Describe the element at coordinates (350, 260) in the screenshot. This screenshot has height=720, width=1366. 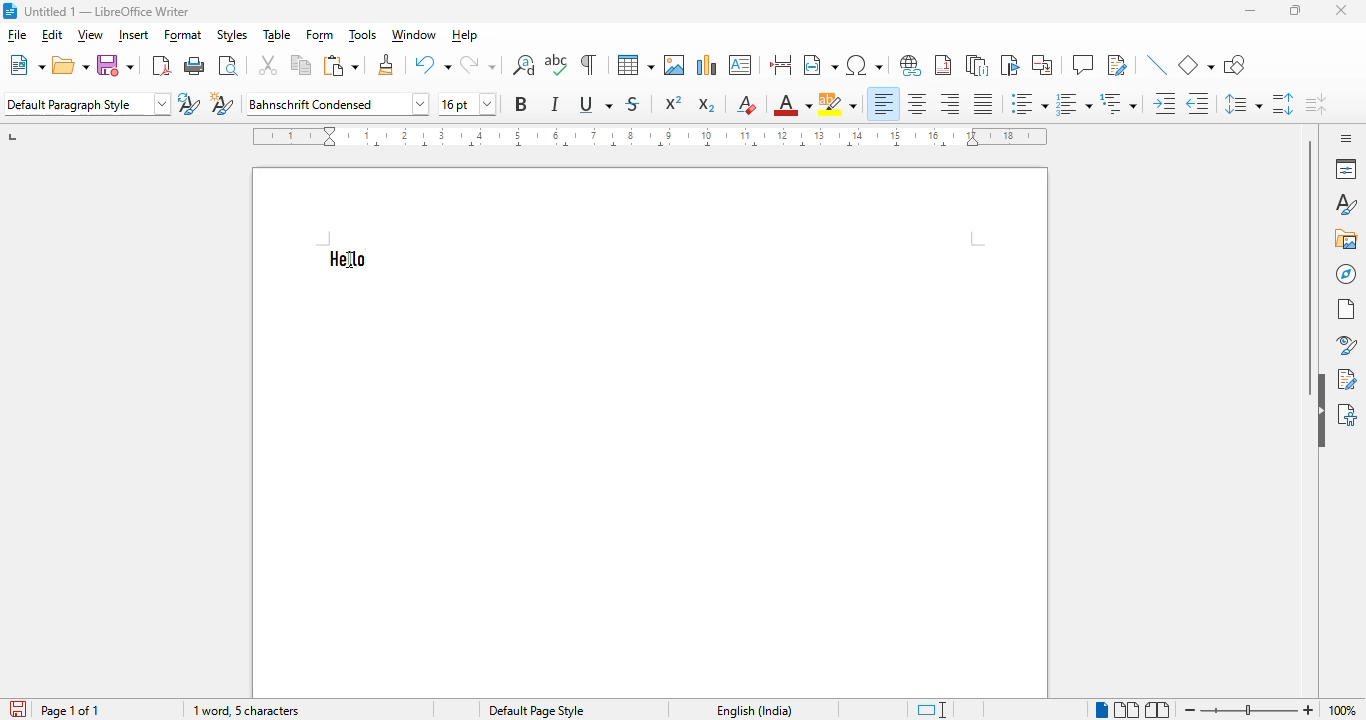
I see `cursor` at that location.